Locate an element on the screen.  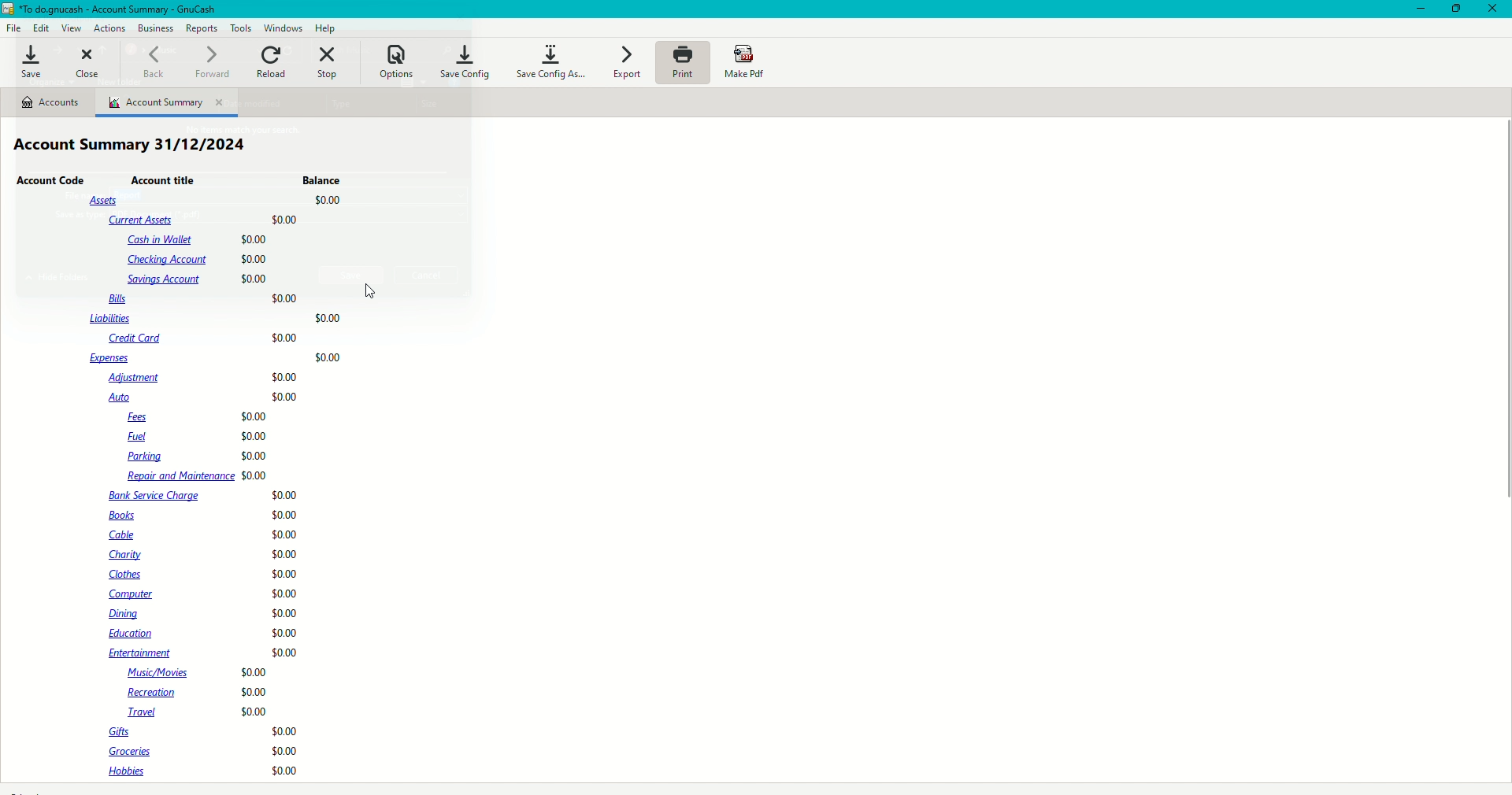
Reports is located at coordinates (202, 29).